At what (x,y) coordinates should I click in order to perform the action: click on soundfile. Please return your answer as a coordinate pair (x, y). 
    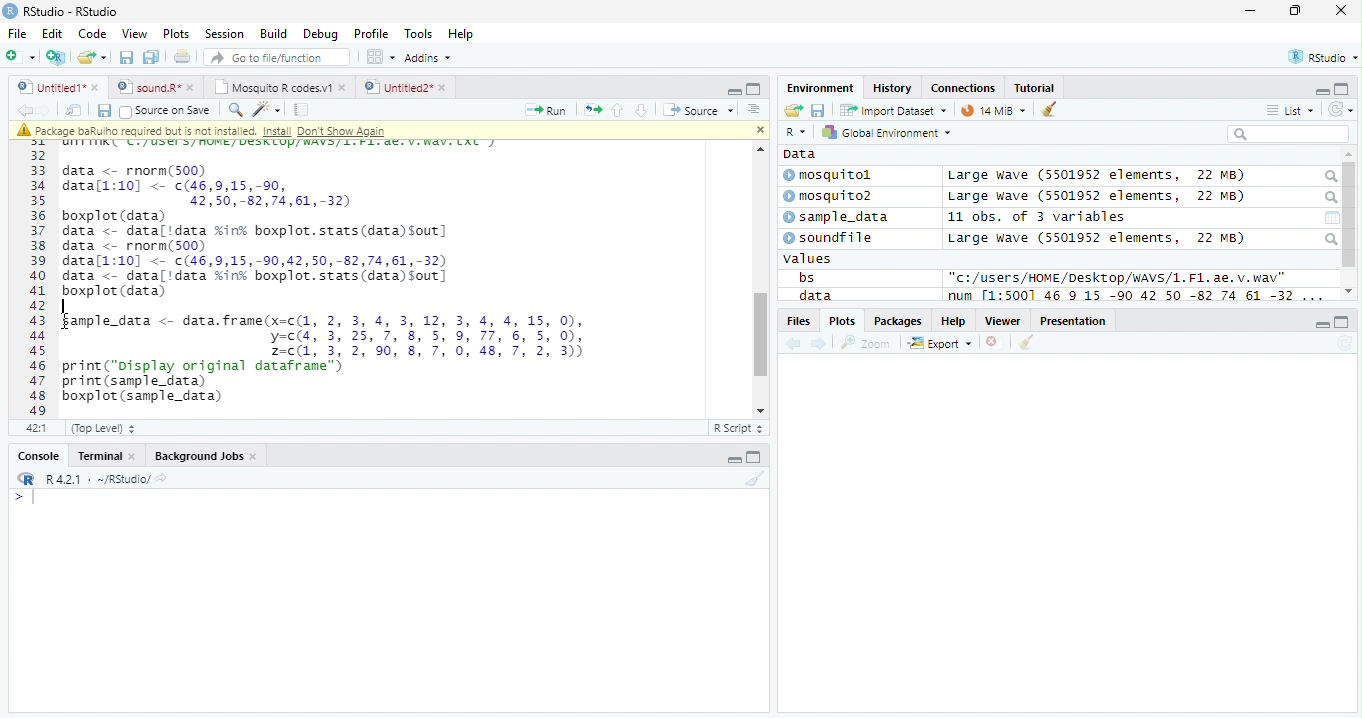
    Looking at the image, I should click on (829, 238).